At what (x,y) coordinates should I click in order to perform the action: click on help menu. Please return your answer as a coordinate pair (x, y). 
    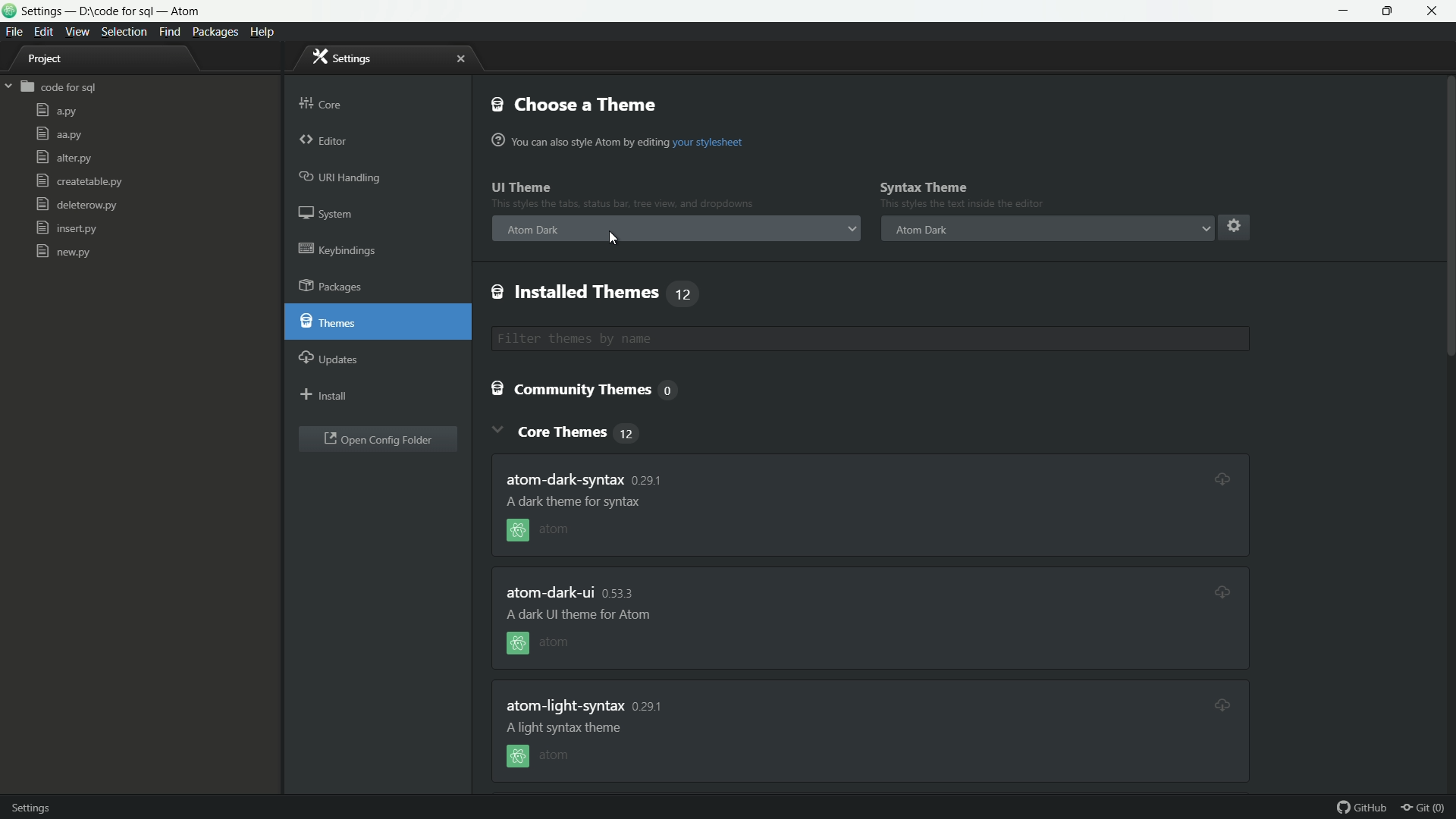
    Looking at the image, I should click on (265, 32).